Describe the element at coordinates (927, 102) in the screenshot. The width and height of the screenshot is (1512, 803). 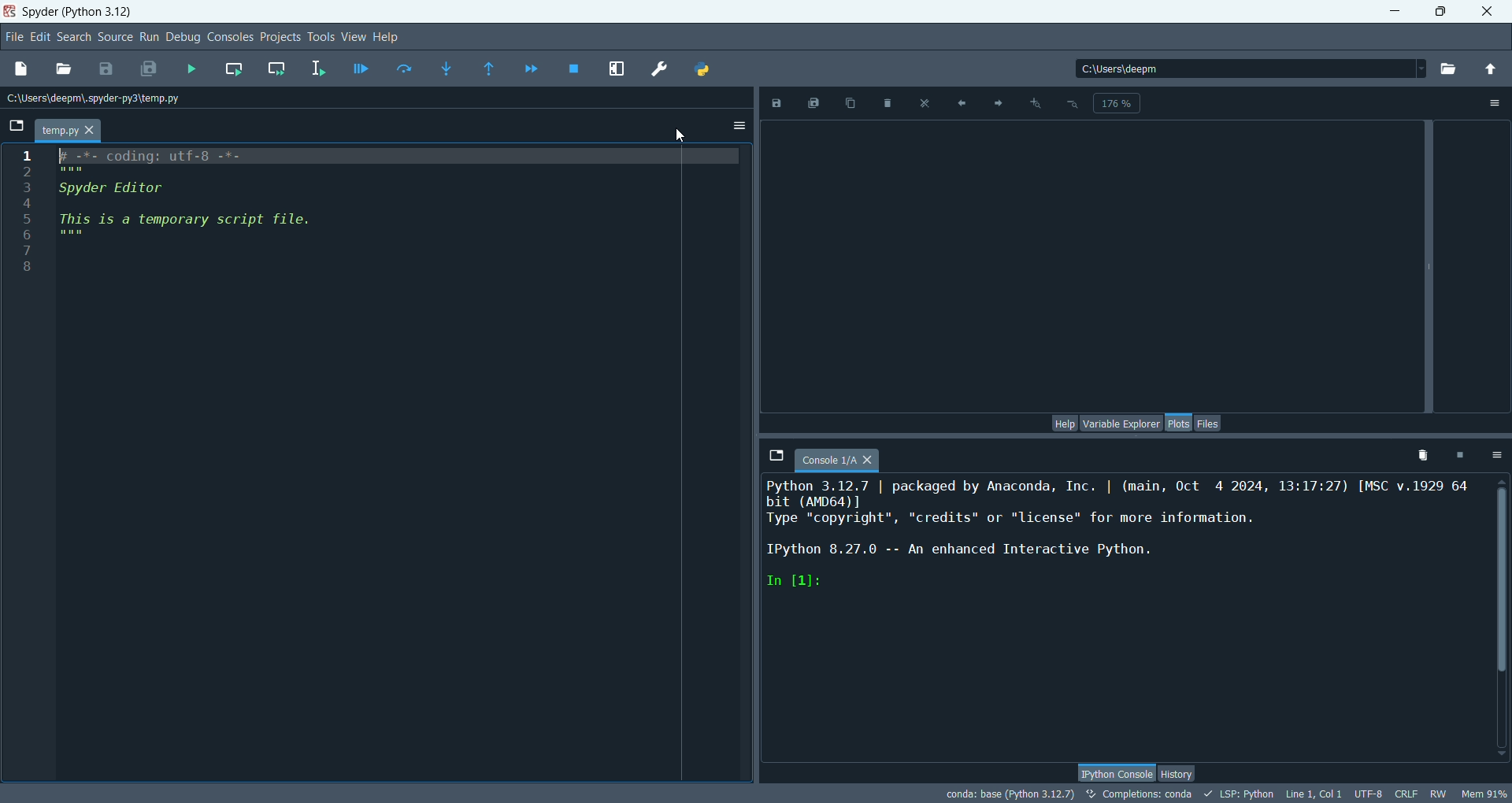
I see `remove all plot` at that location.